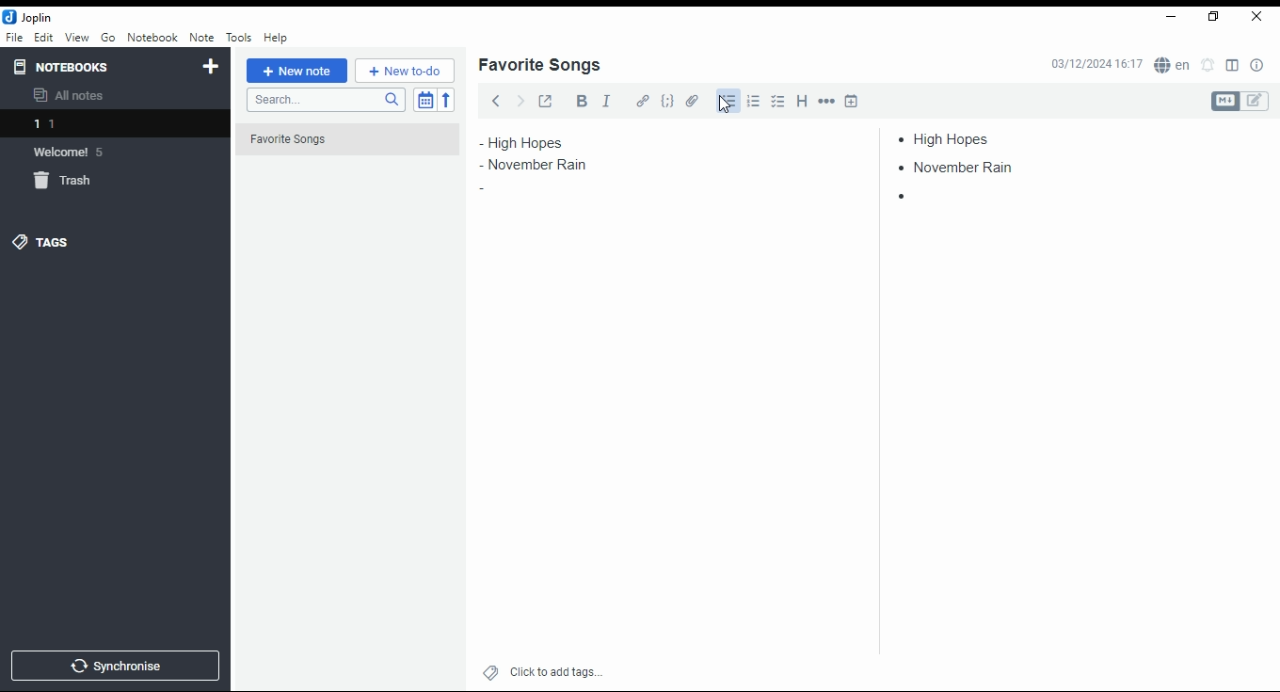 This screenshot has width=1280, height=692. I want to click on note properties, so click(1258, 66).